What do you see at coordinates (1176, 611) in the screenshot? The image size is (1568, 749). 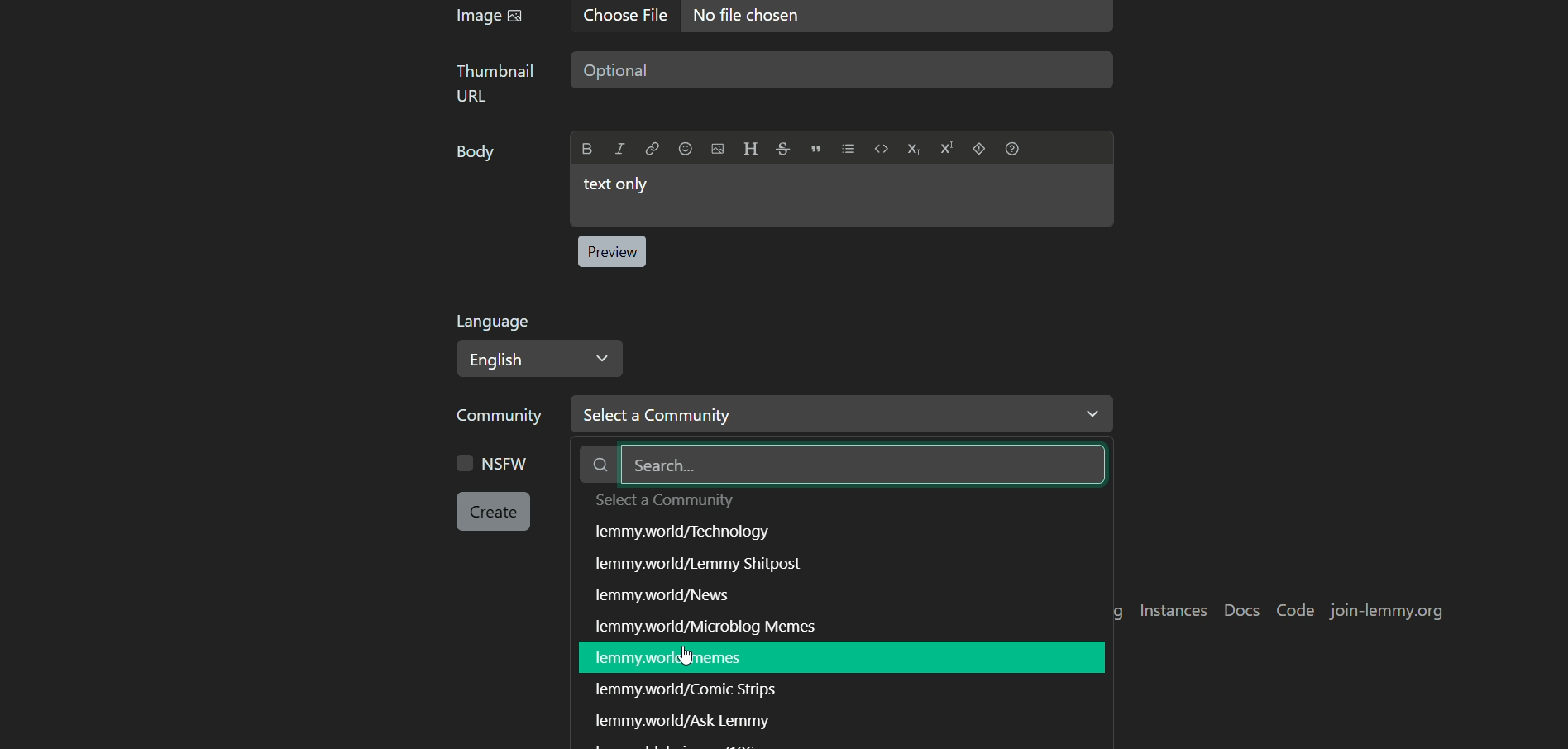 I see `instances` at bounding box center [1176, 611].